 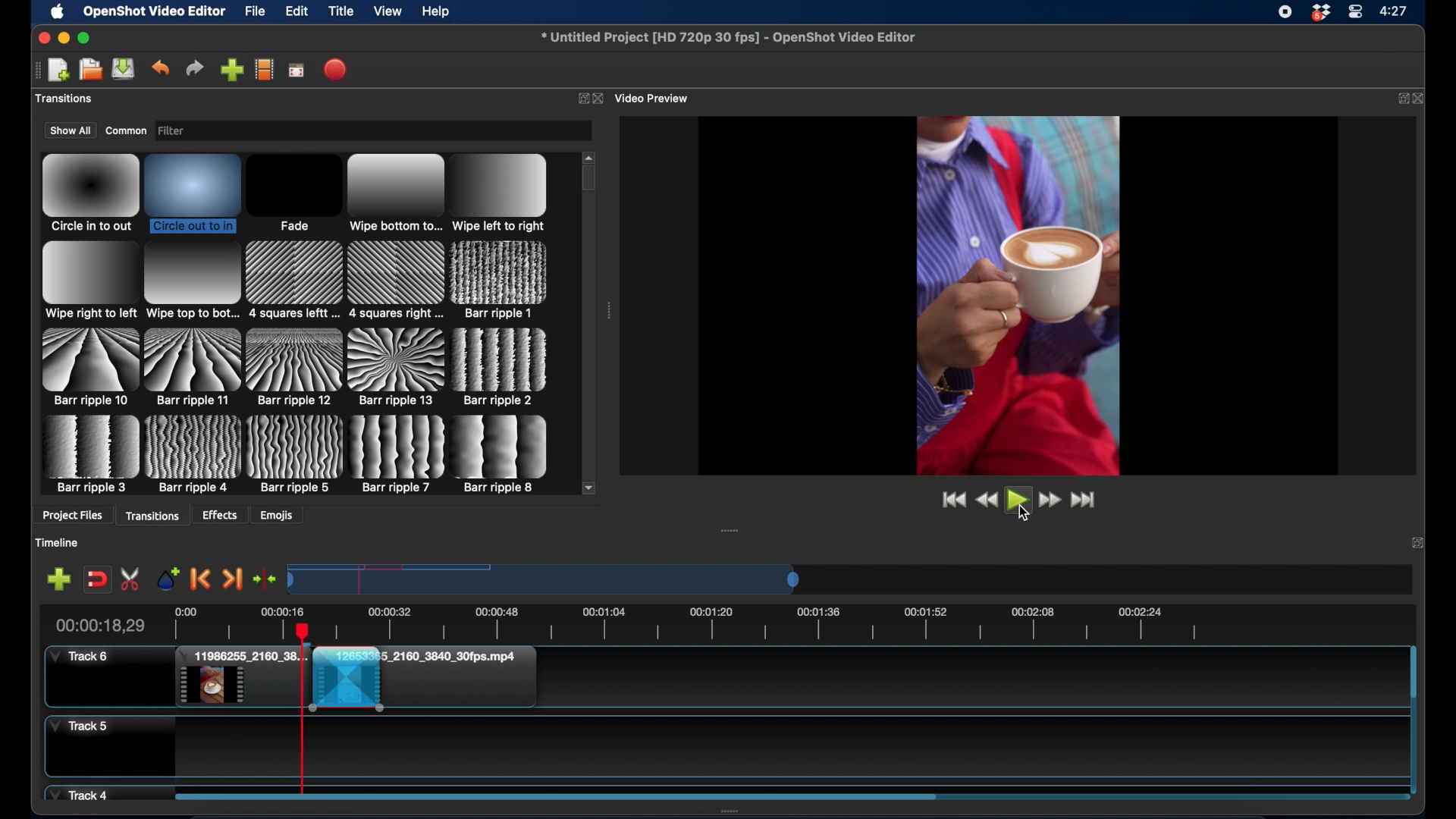 I want to click on import files, so click(x=231, y=70).